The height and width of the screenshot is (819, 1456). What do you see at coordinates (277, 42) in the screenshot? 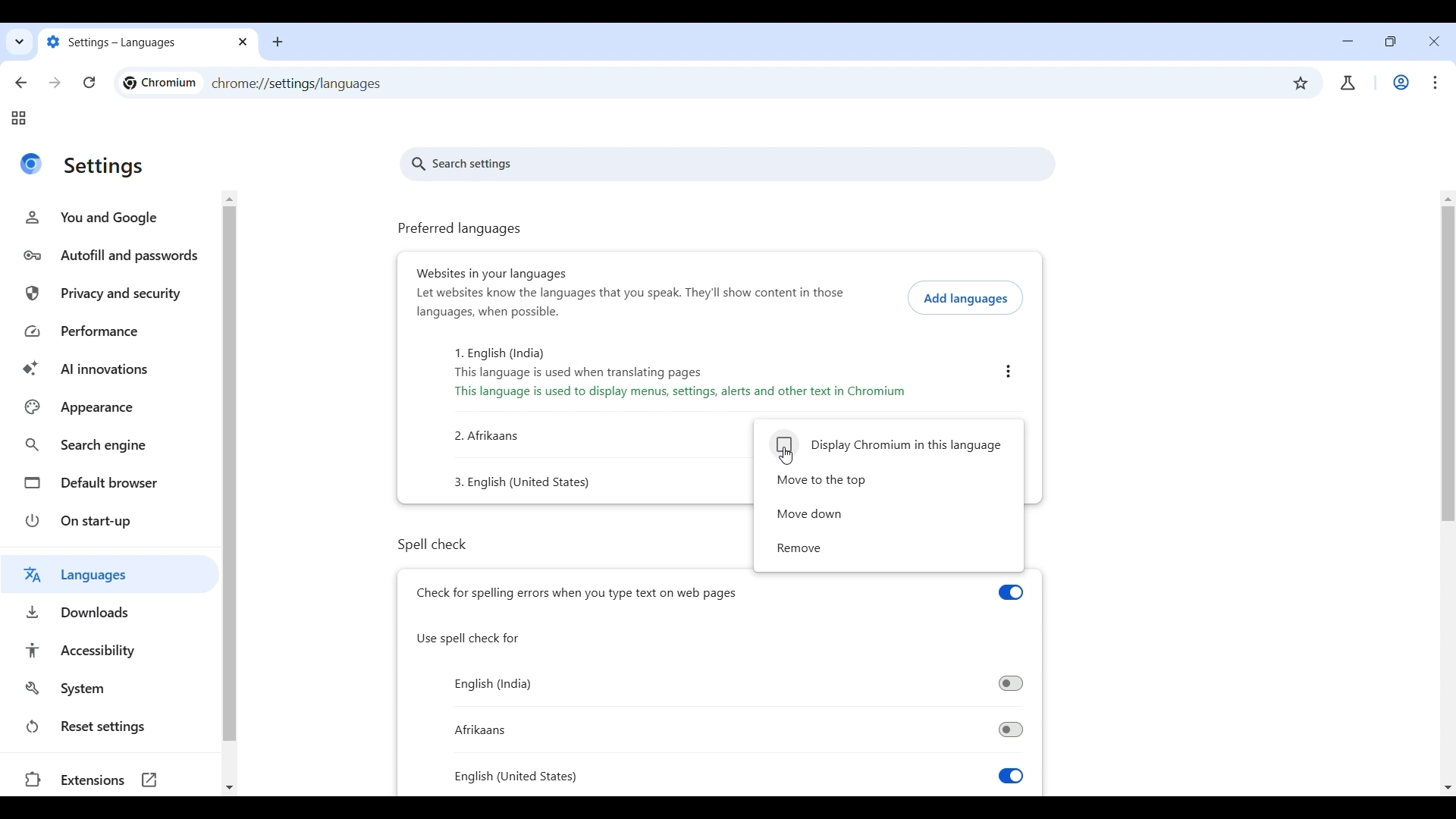
I see `add new tab` at bounding box center [277, 42].